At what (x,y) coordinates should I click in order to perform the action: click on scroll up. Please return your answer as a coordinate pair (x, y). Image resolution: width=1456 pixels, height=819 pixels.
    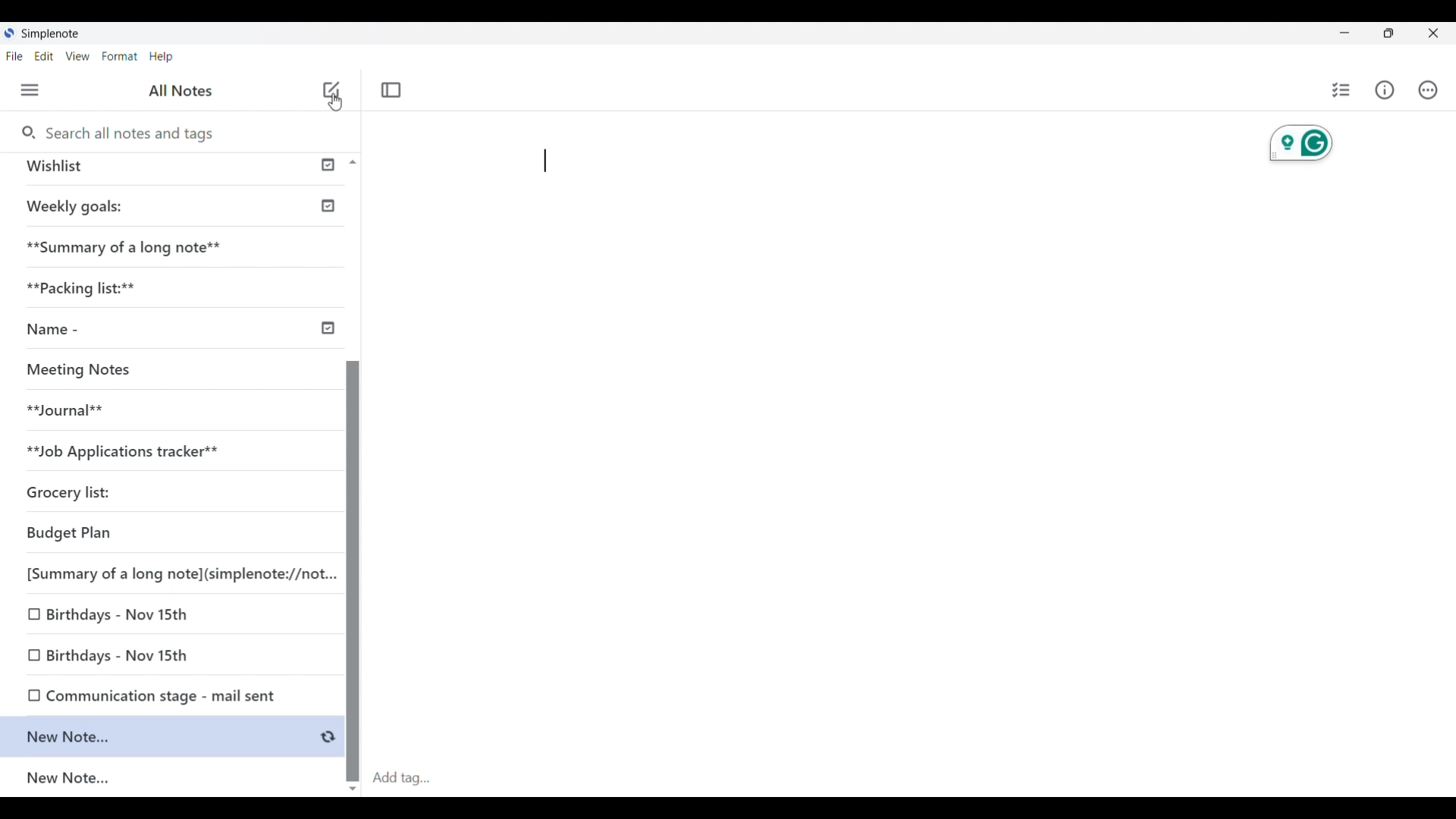
    Looking at the image, I should click on (361, 162).